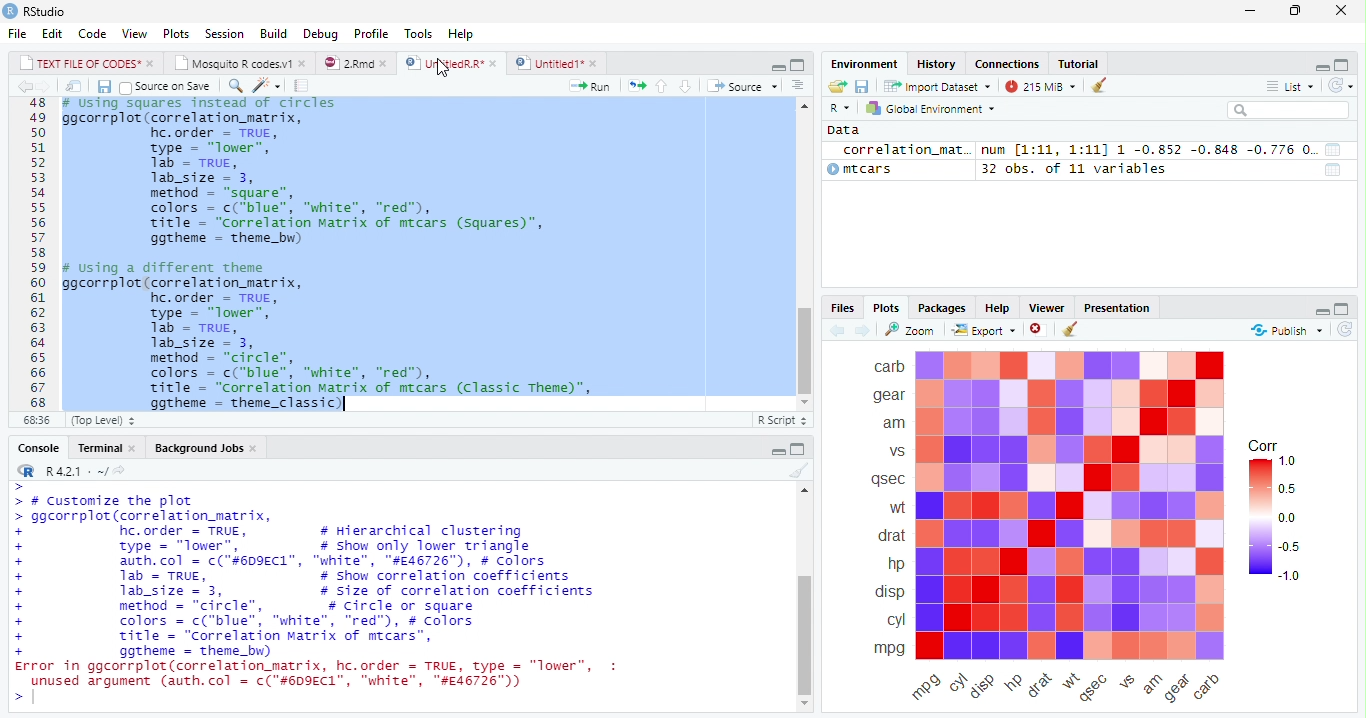 Image resolution: width=1366 pixels, height=718 pixels. What do you see at coordinates (446, 74) in the screenshot?
I see `cursor` at bounding box center [446, 74].